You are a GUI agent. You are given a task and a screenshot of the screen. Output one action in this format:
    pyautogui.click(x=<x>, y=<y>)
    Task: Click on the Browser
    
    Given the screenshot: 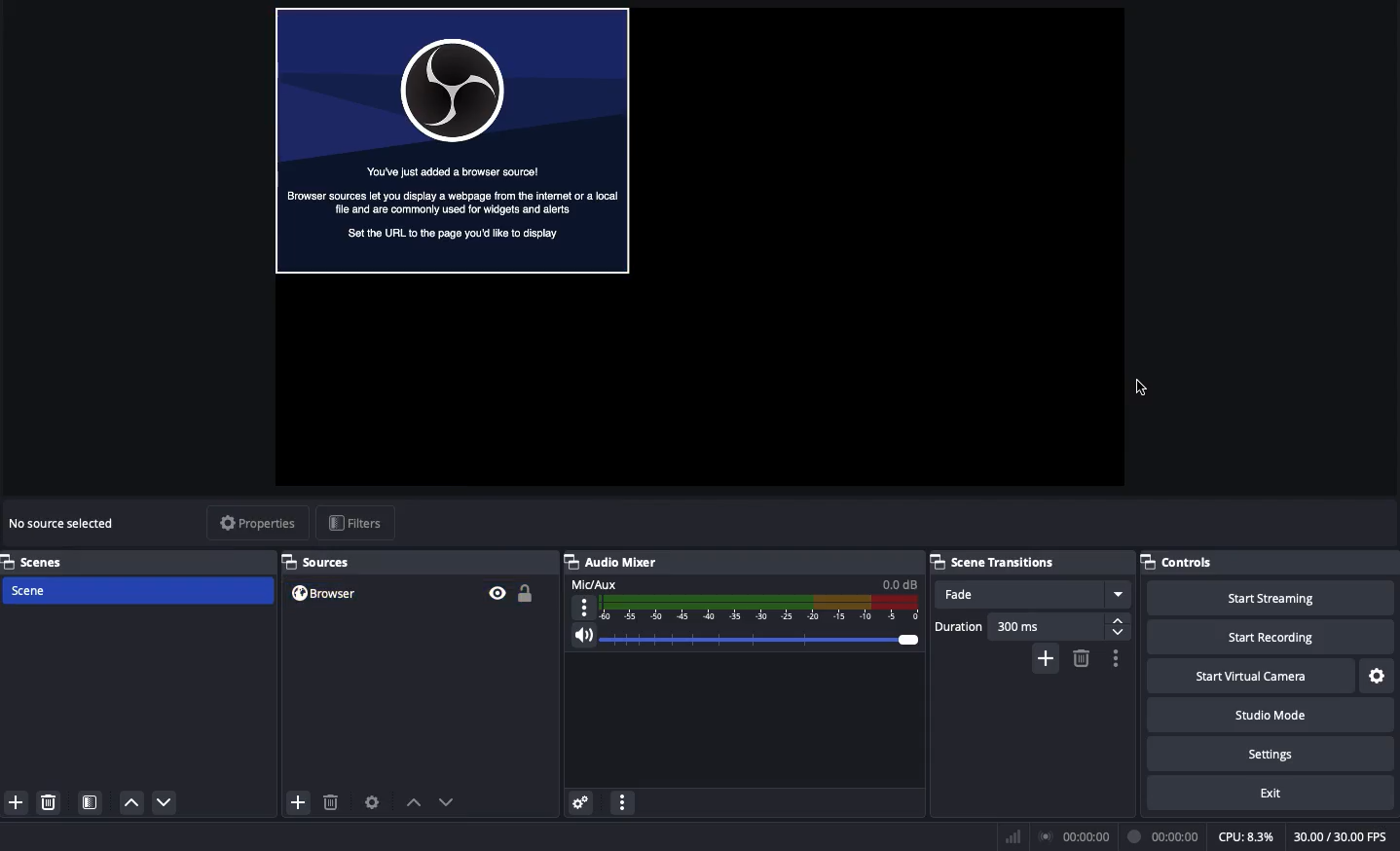 What is the action you would take?
    pyautogui.click(x=376, y=593)
    